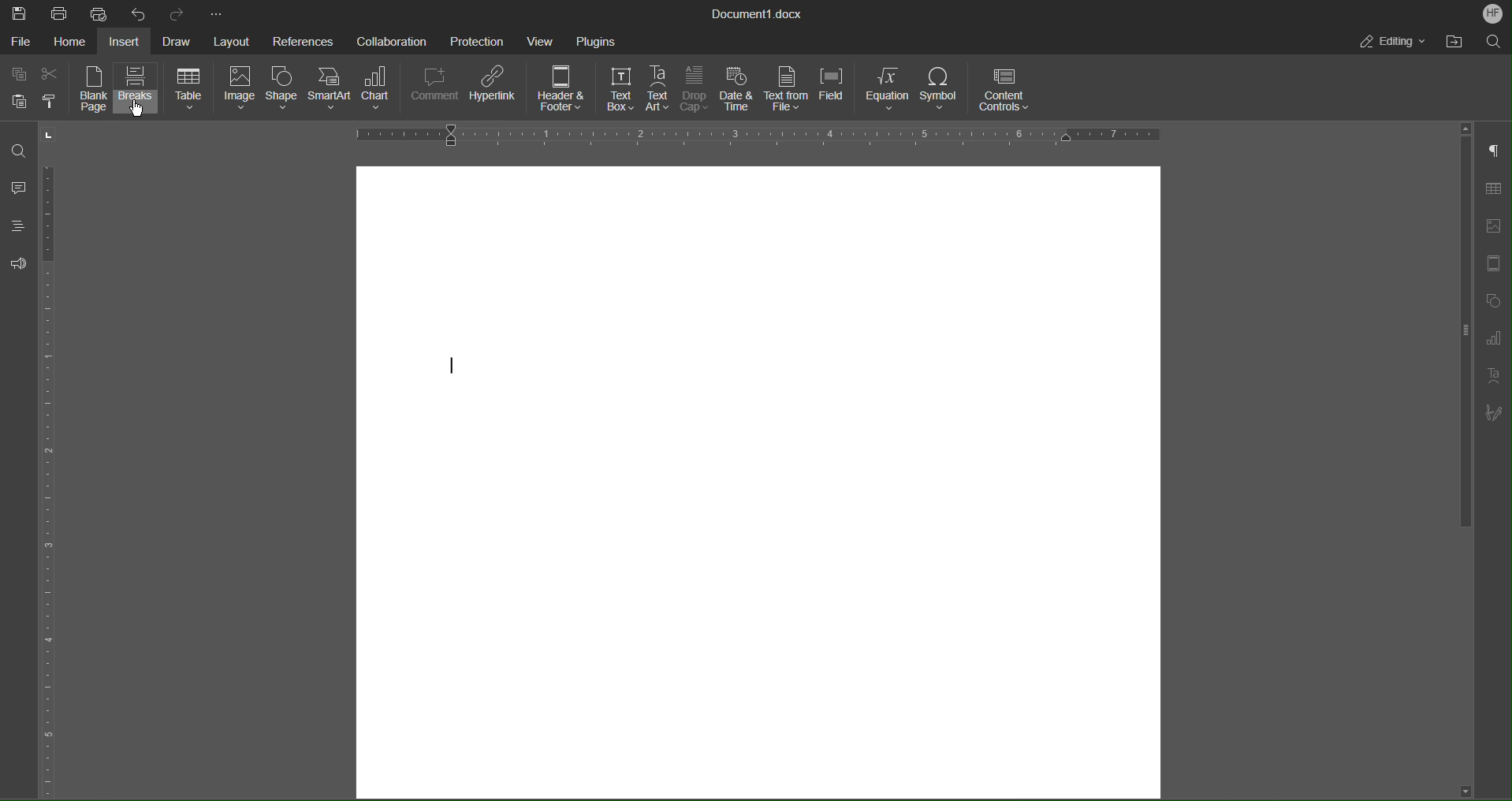 The width and height of the screenshot is (1512, 801). I want to click on Protection, so click(471, 38).